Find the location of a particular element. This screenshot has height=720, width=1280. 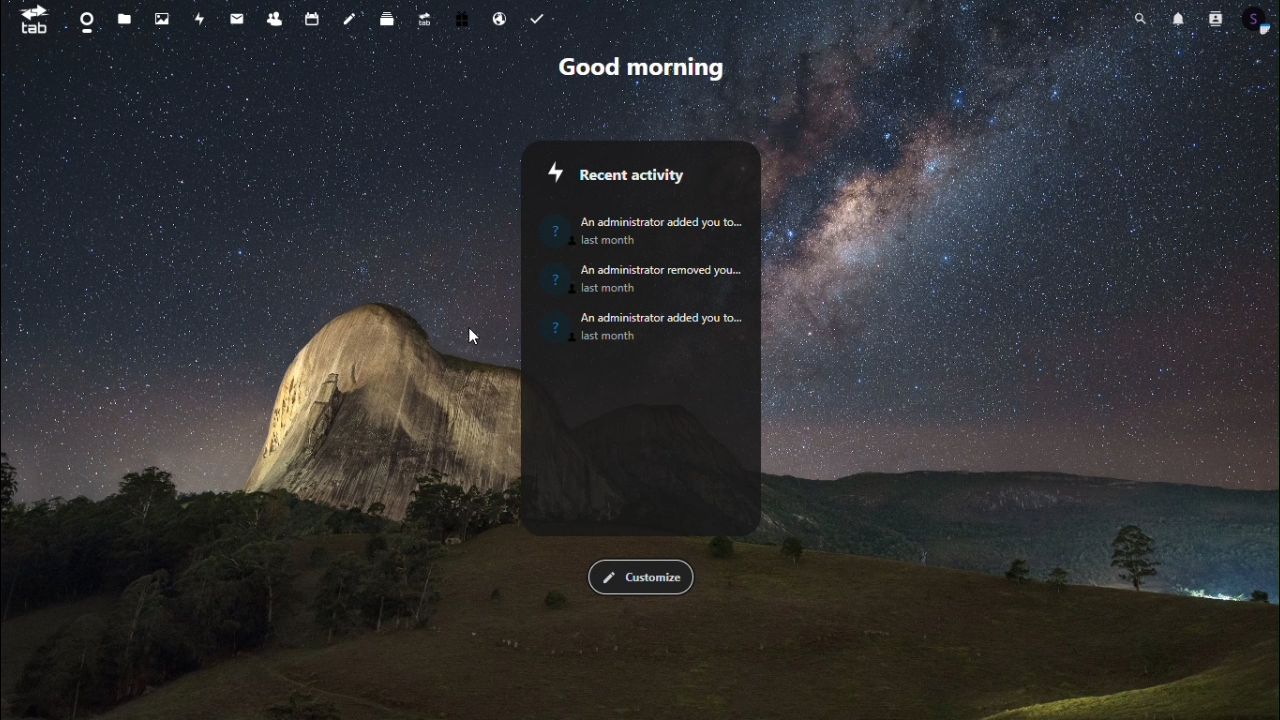

profile is located at coordinates (1261, 28).